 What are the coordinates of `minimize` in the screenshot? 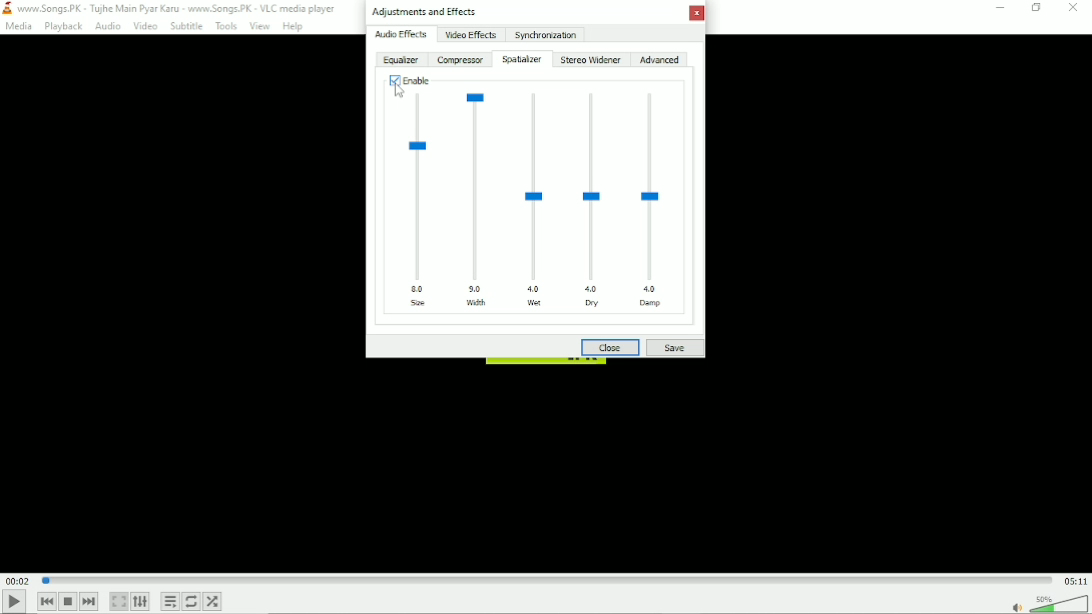 It's located at (1001, 8).